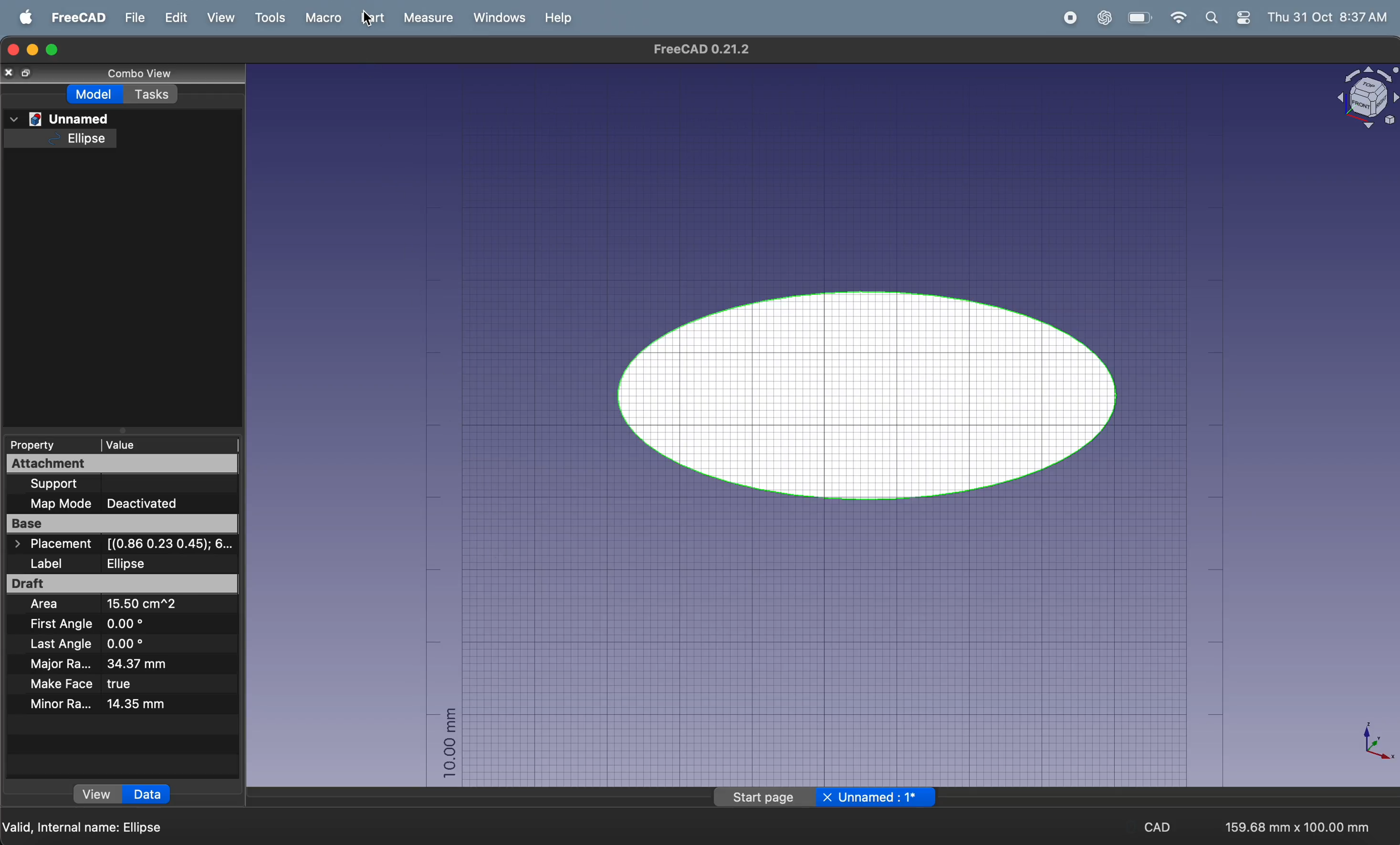 The height and width of the screenshot is (845, 1400). I want to click on windows, so click(497, 18).